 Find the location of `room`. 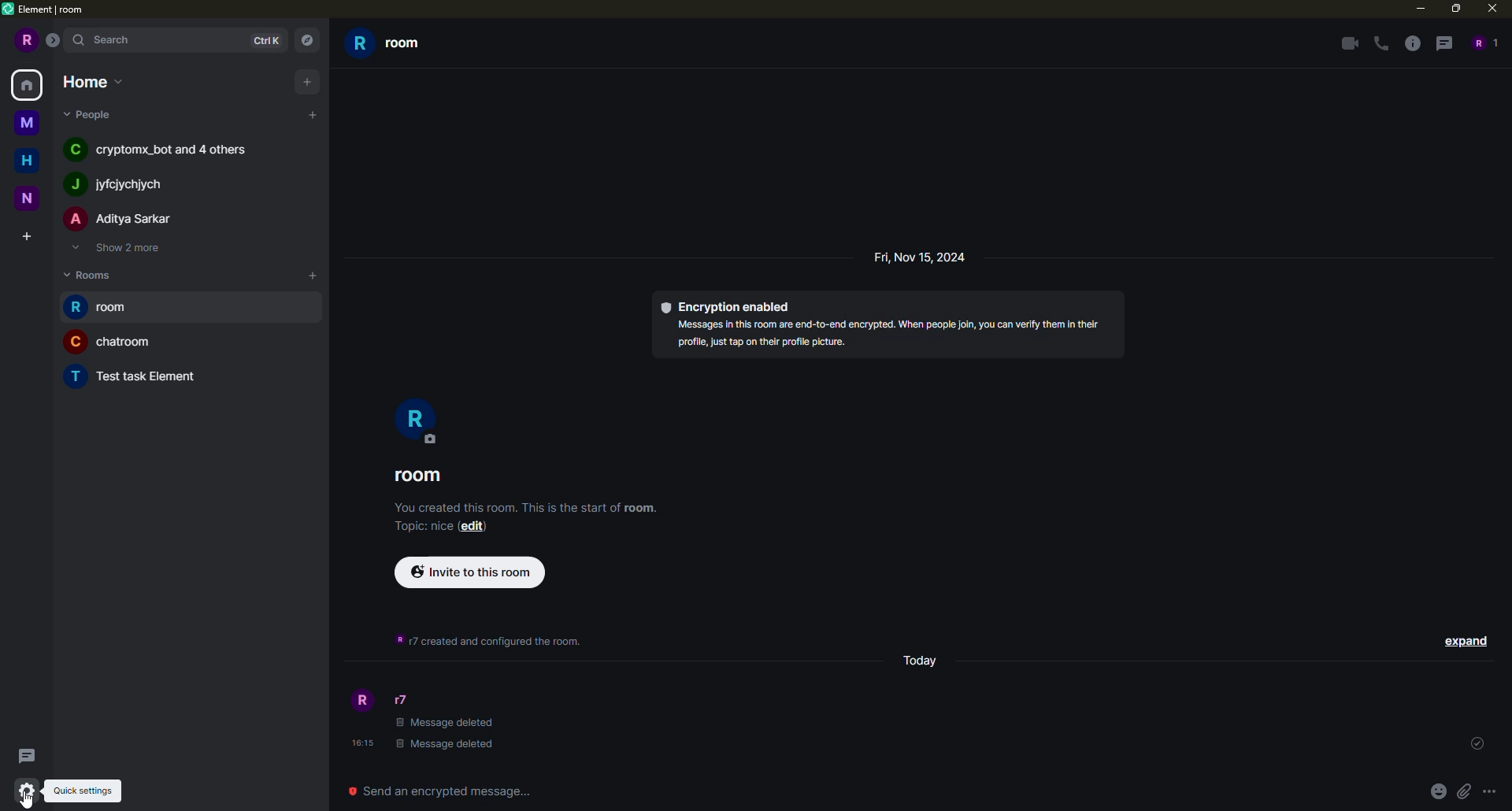

room is located at coordinates (387, 43).